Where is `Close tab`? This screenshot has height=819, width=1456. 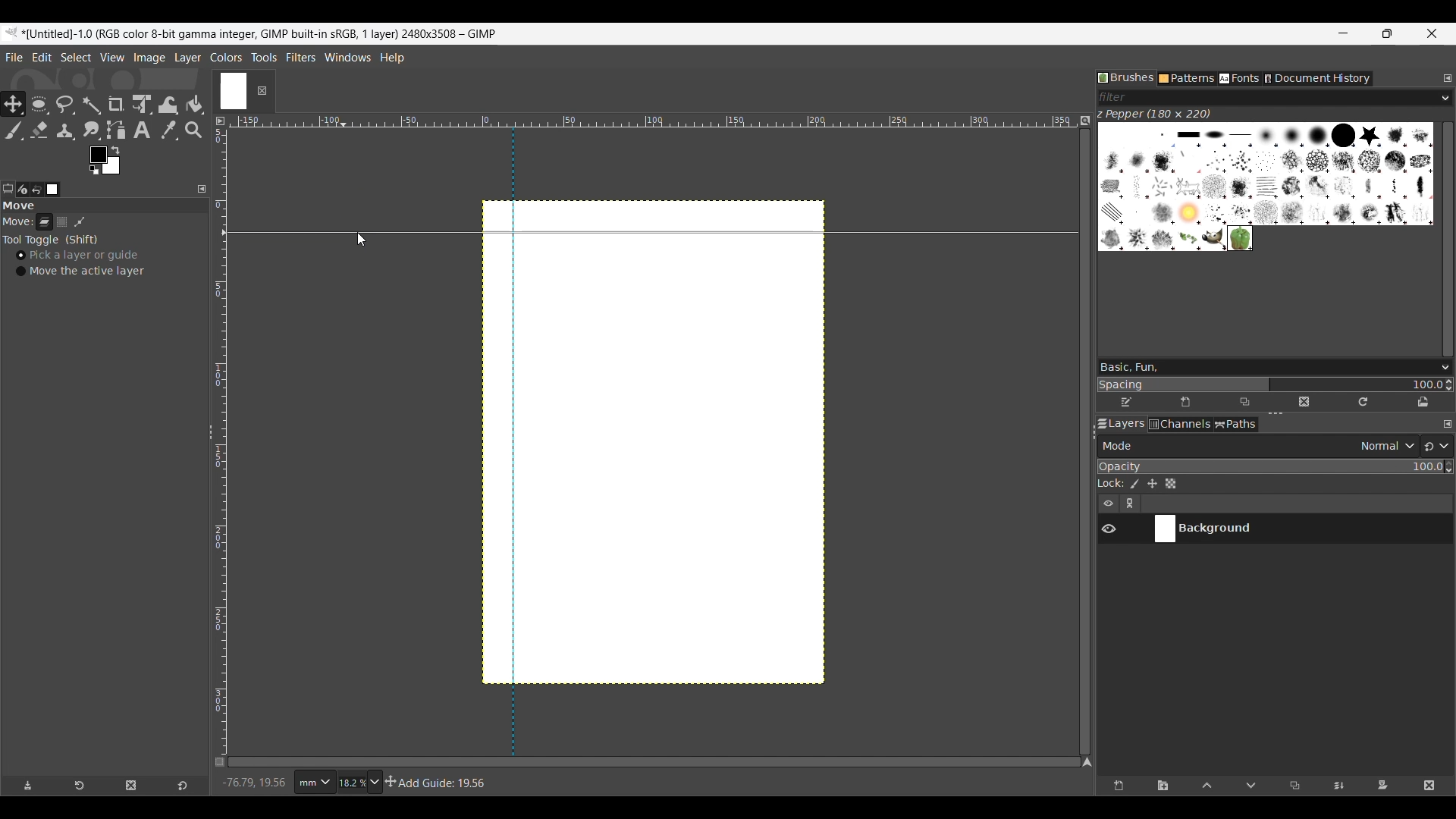
Close tab is located at coordinates (261, 91).